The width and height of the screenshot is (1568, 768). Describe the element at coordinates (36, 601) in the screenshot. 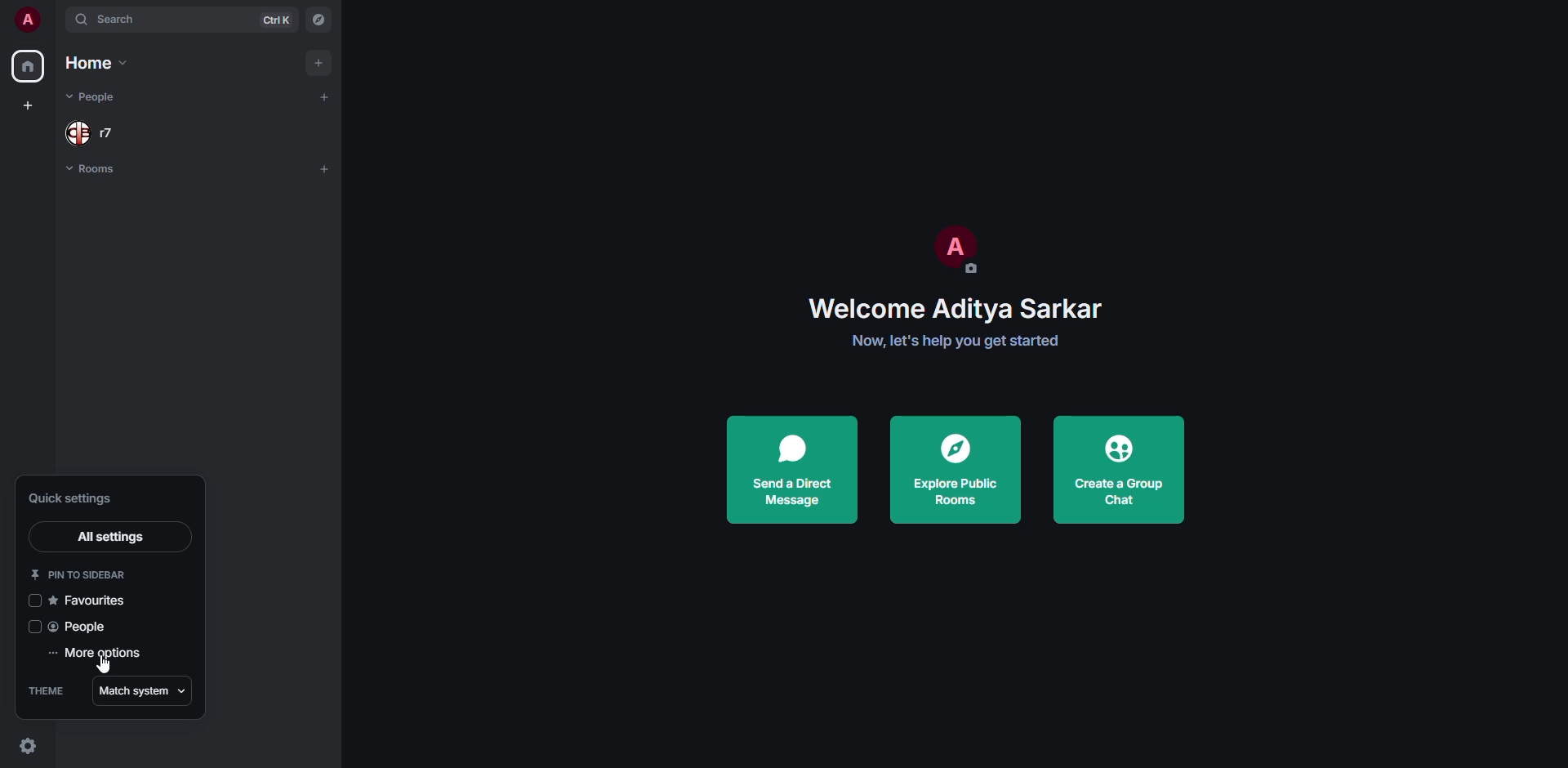

I see `click to enable` at that location.